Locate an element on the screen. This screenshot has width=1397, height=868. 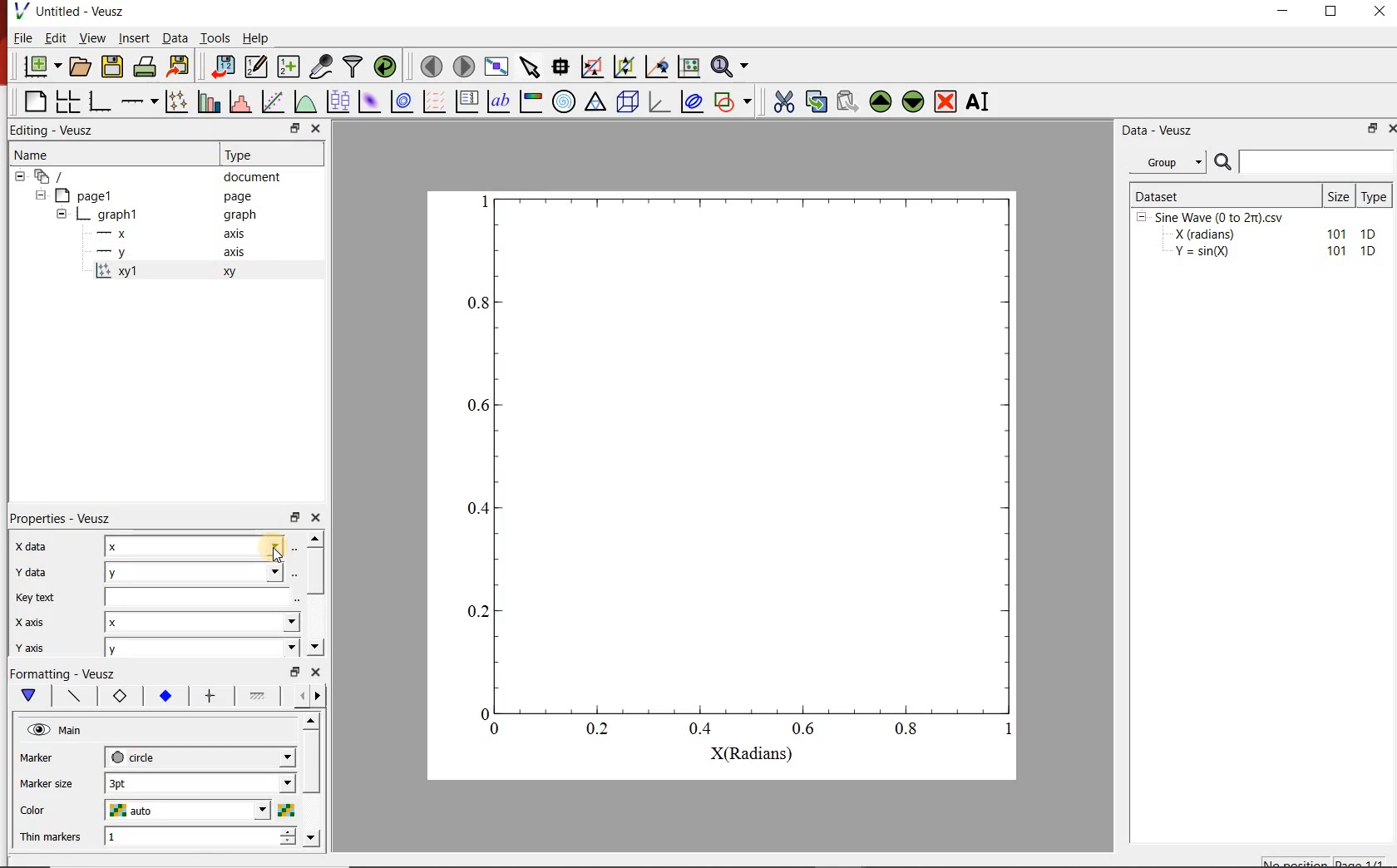
Textbox is located at coordinates (195, 545).